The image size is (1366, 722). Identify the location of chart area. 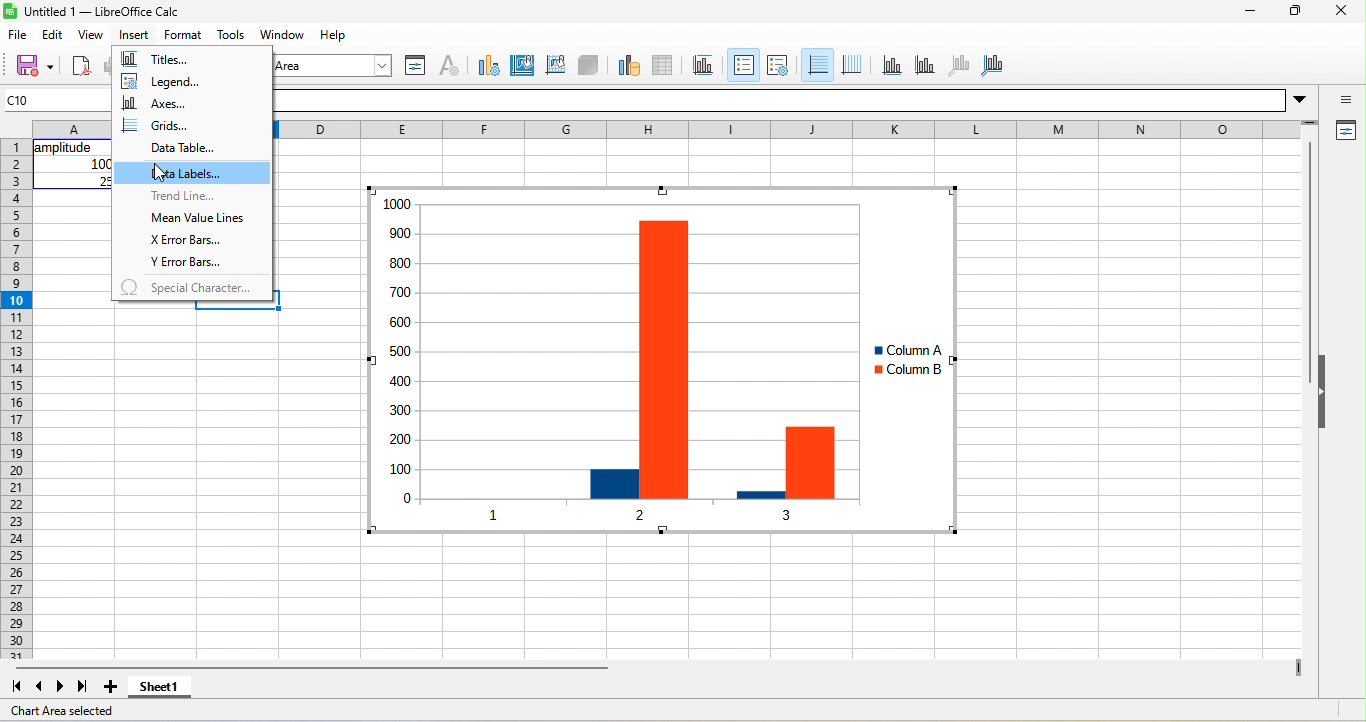
(523, 63).